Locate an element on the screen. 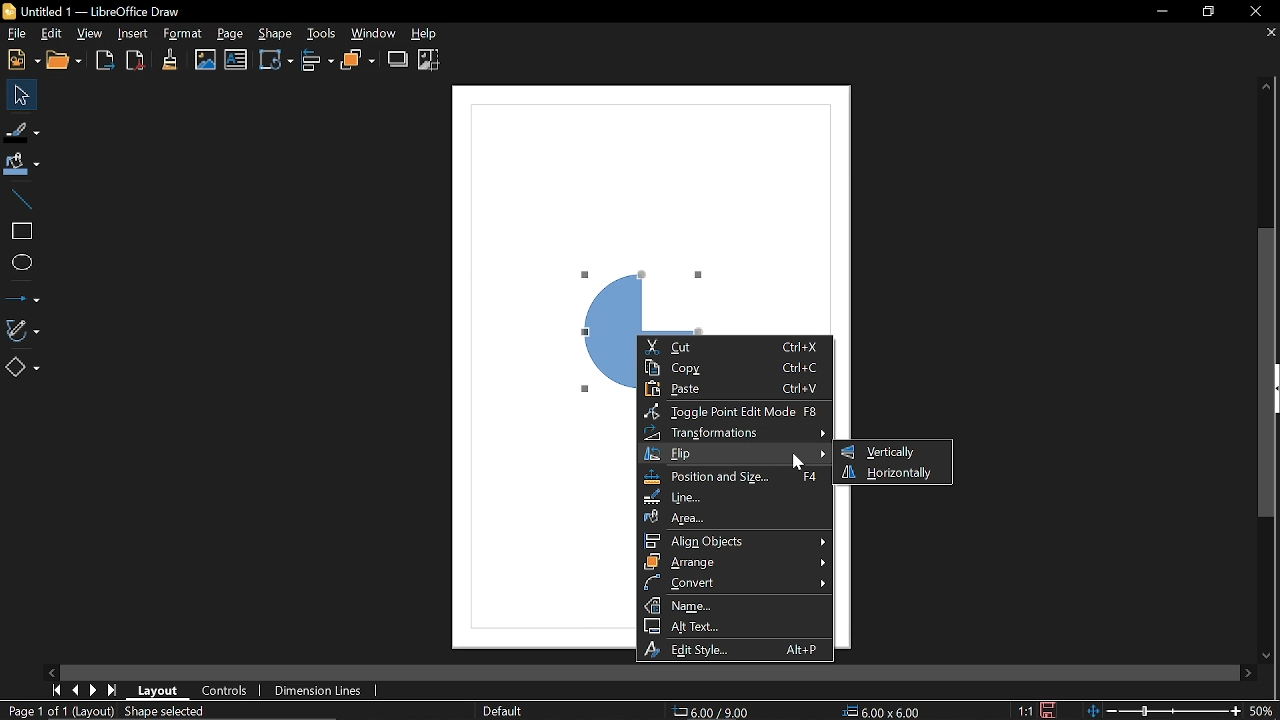 The image size is (1280, 720). Help is located at coordinates (427, 35).